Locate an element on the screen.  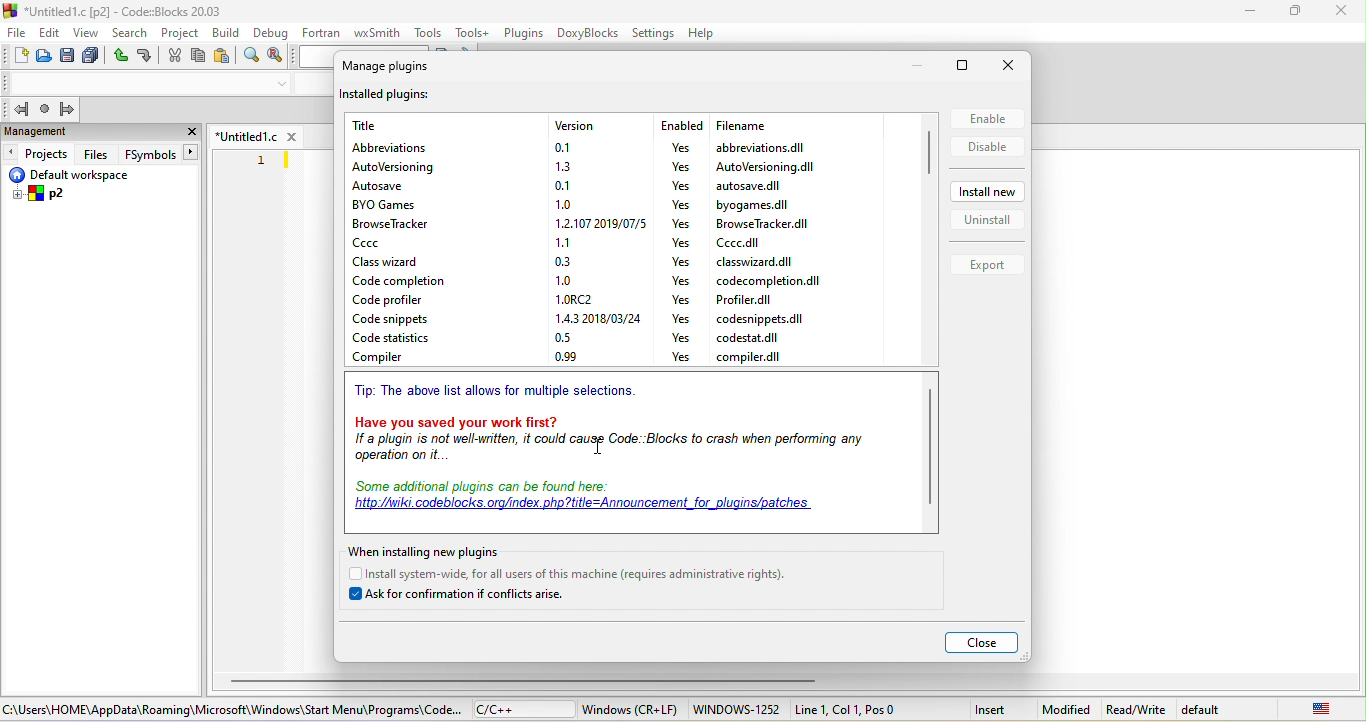
help is located at coordinates (701, 32).